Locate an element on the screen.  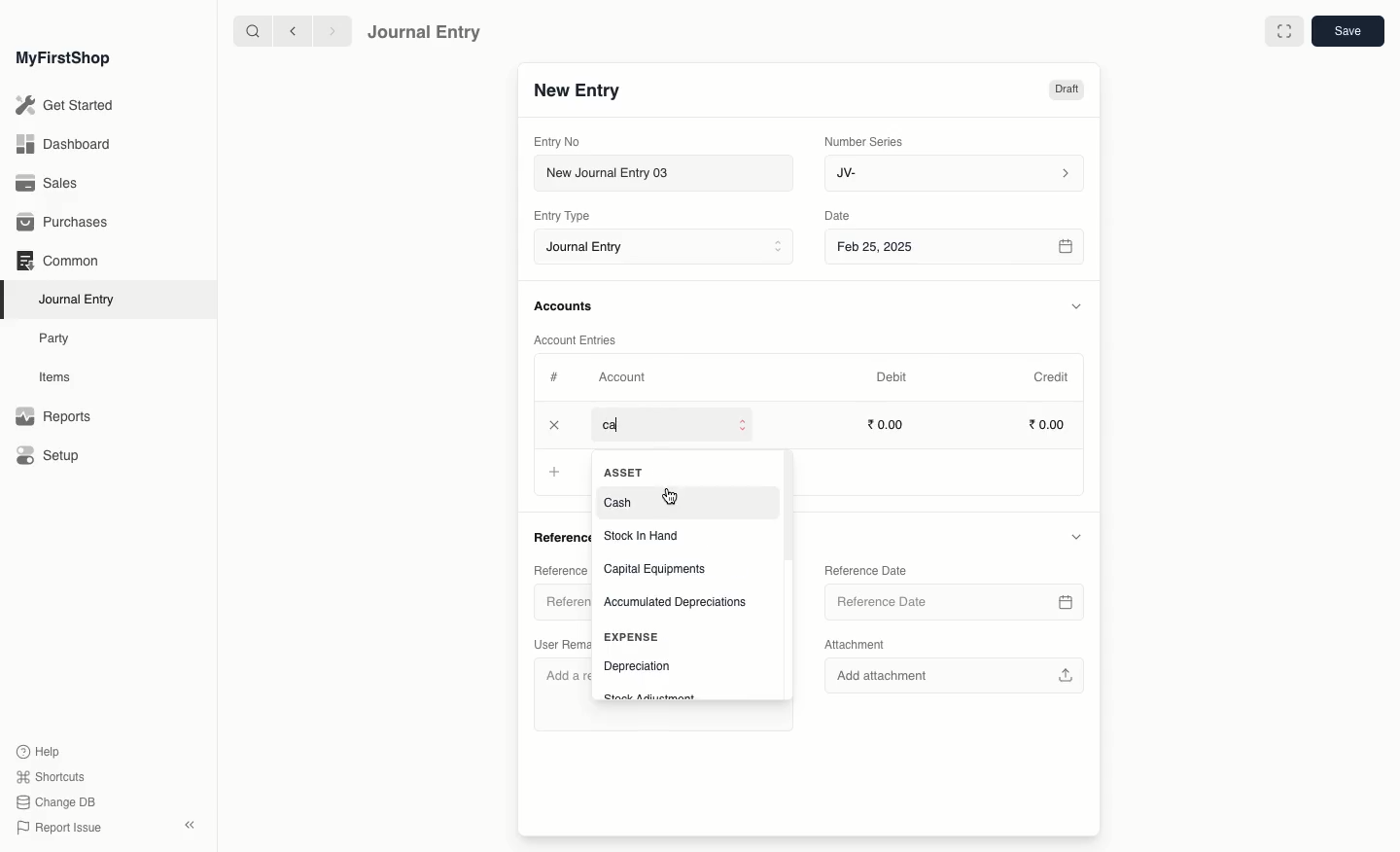
Hashtag is located at coordinates (558, 378).